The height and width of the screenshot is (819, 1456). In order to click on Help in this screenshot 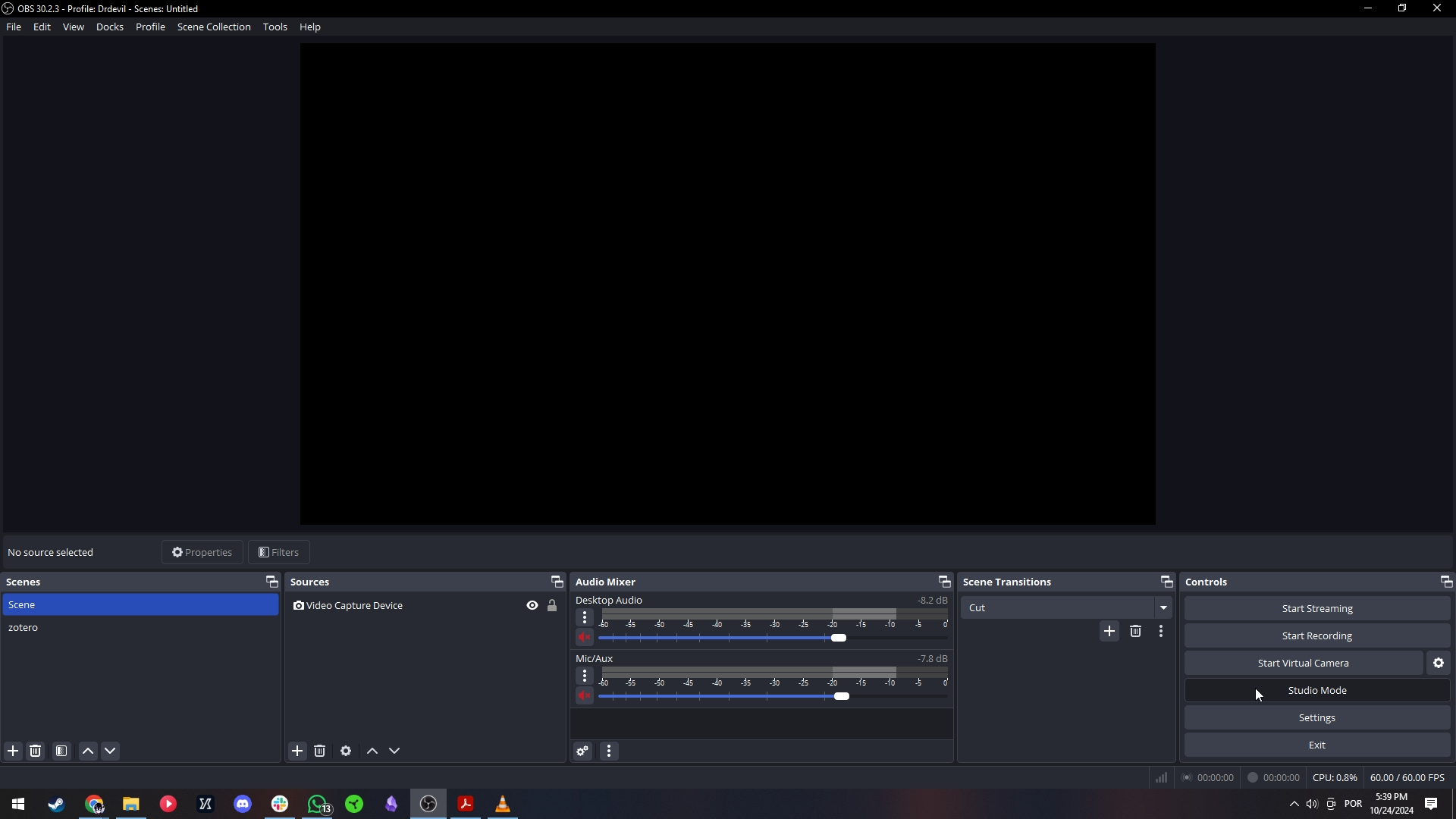, I will do `click(312, 27)`.